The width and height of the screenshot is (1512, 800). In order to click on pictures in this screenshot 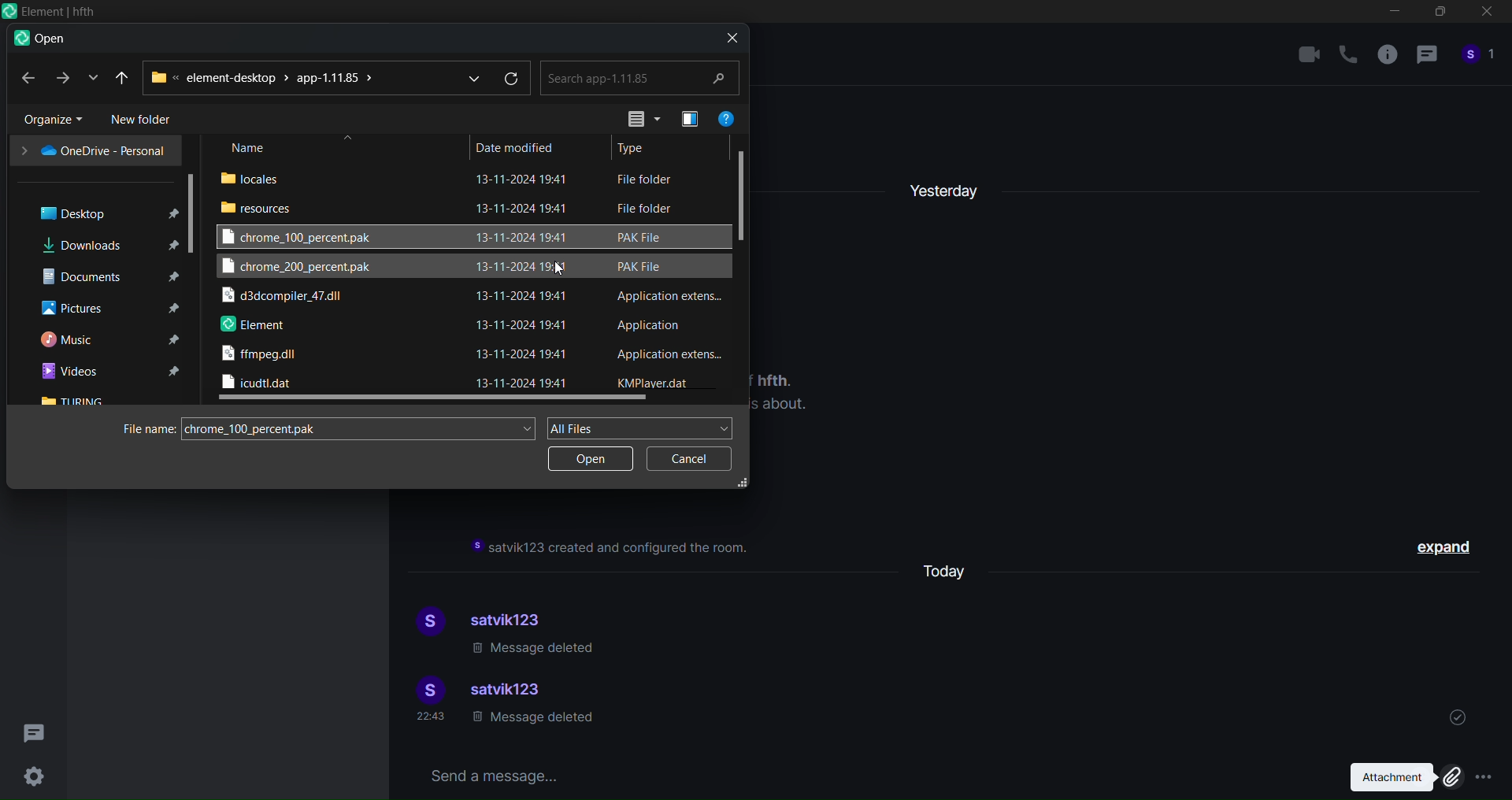, I will do `click(106, 309)`.